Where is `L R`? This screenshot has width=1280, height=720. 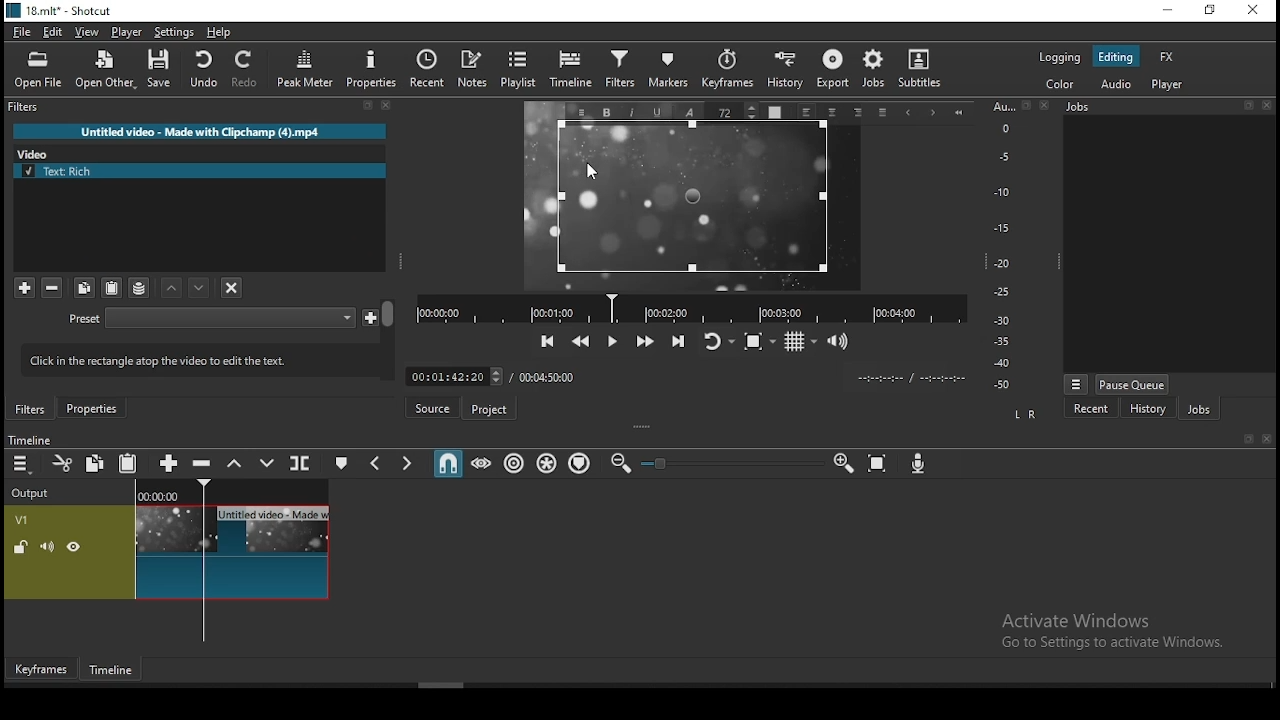
L R is located at coordinates (1026, 415).